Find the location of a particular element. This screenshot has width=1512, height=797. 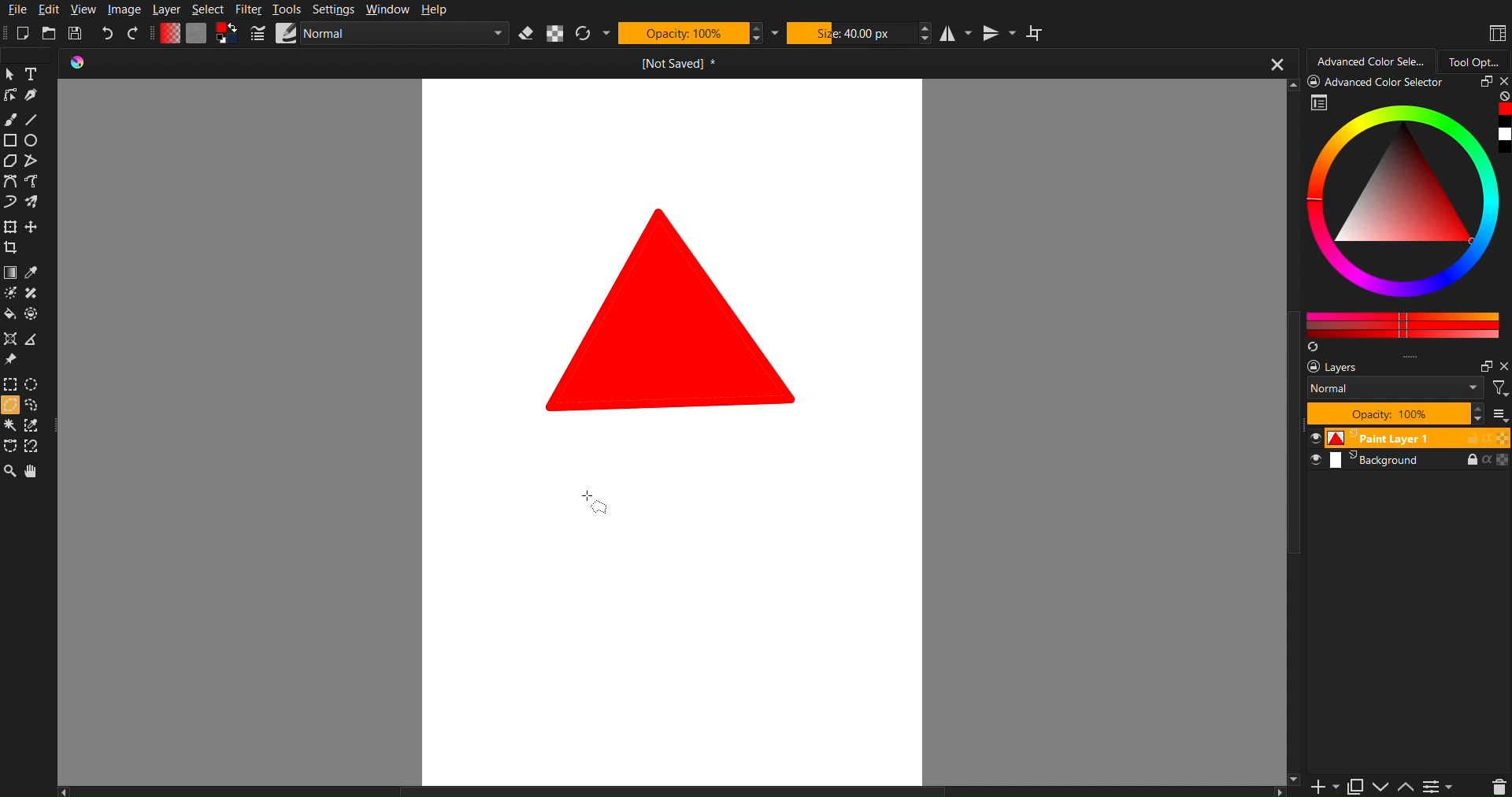

Undo is located at coordinates (106, 30).